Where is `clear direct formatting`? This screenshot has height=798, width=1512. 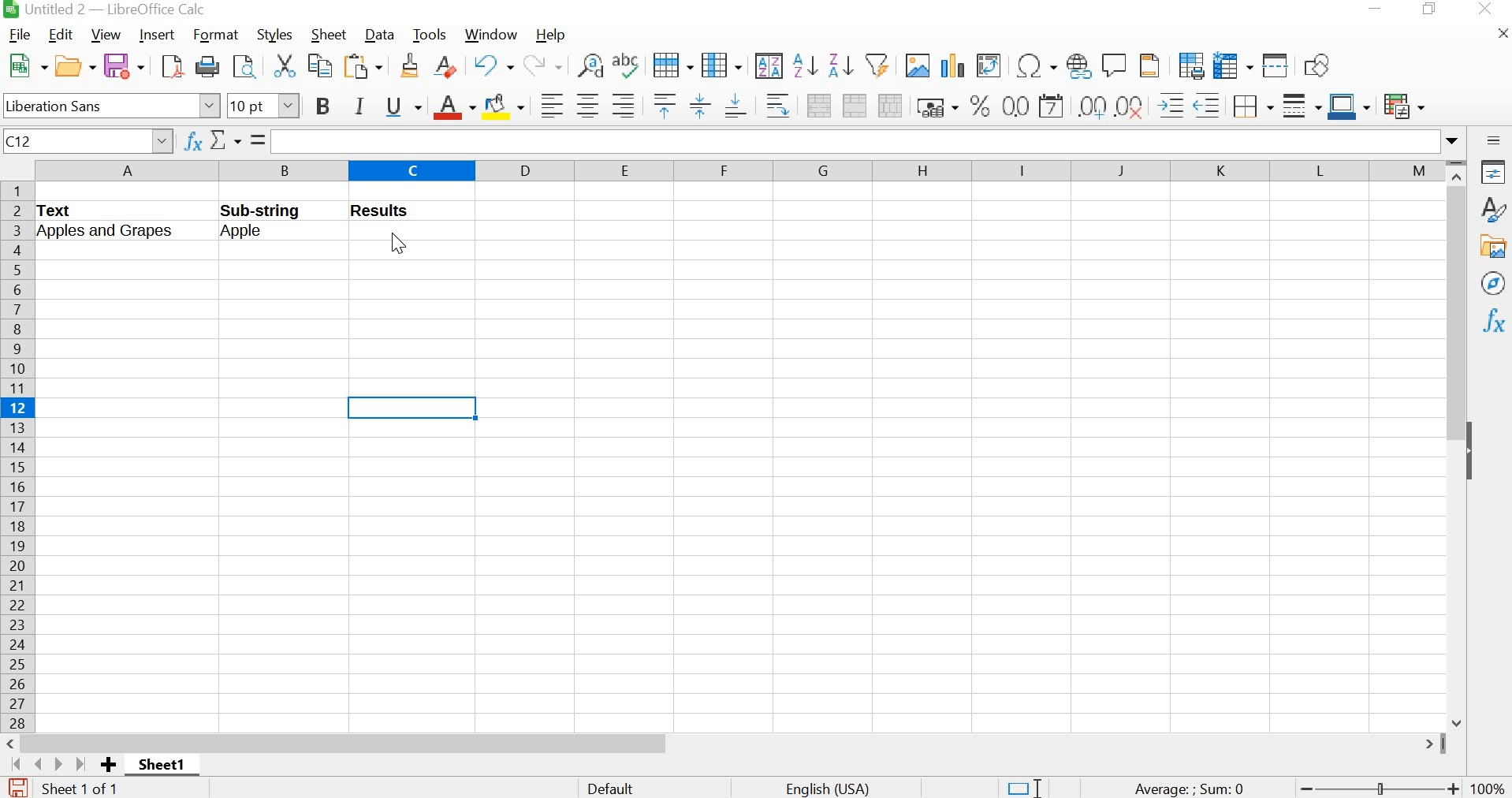
clear direct formatting is located at coordinates (445, 66).